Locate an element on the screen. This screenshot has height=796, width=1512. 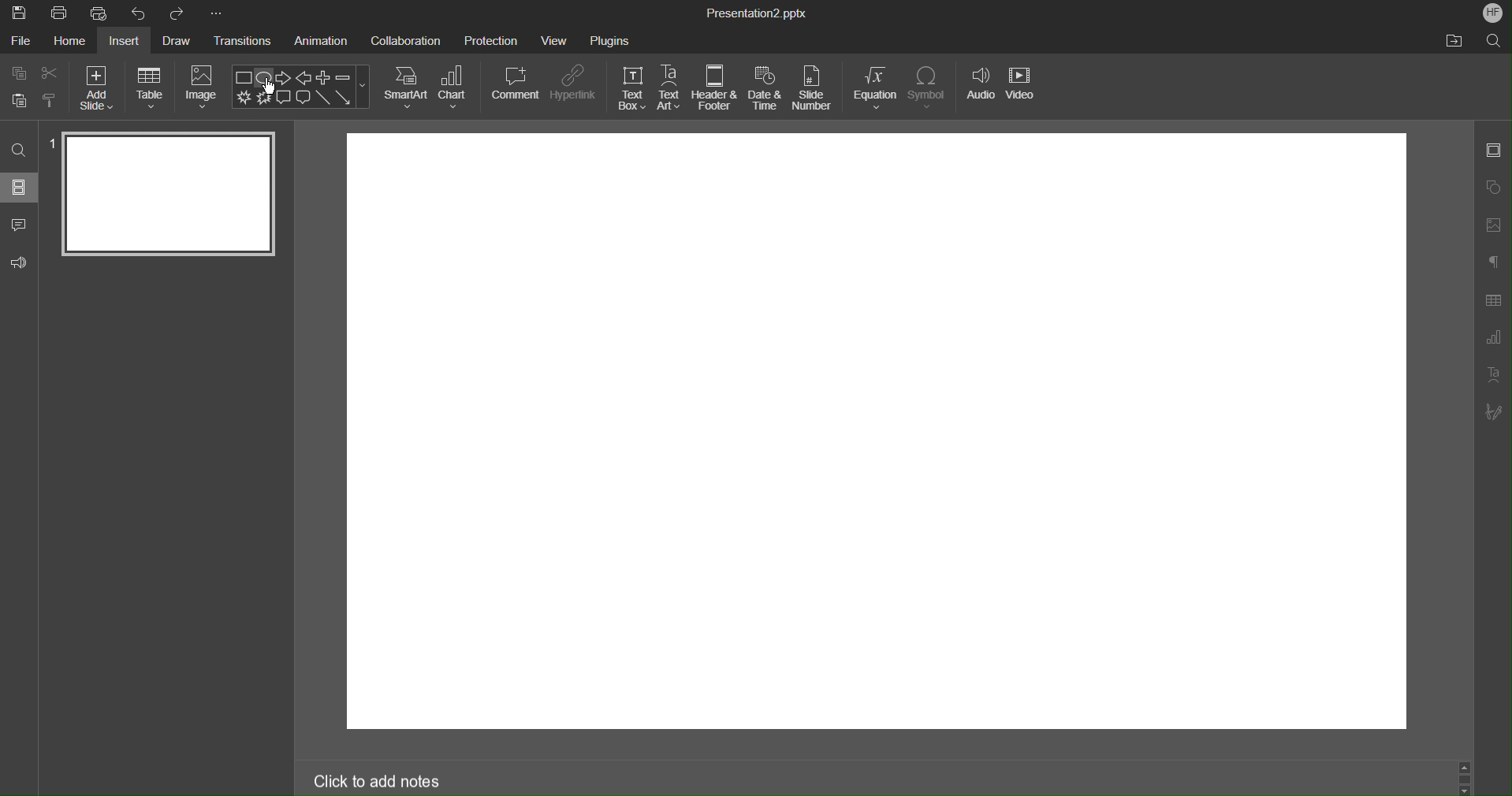
Cut is located at coordinates (51, 73).